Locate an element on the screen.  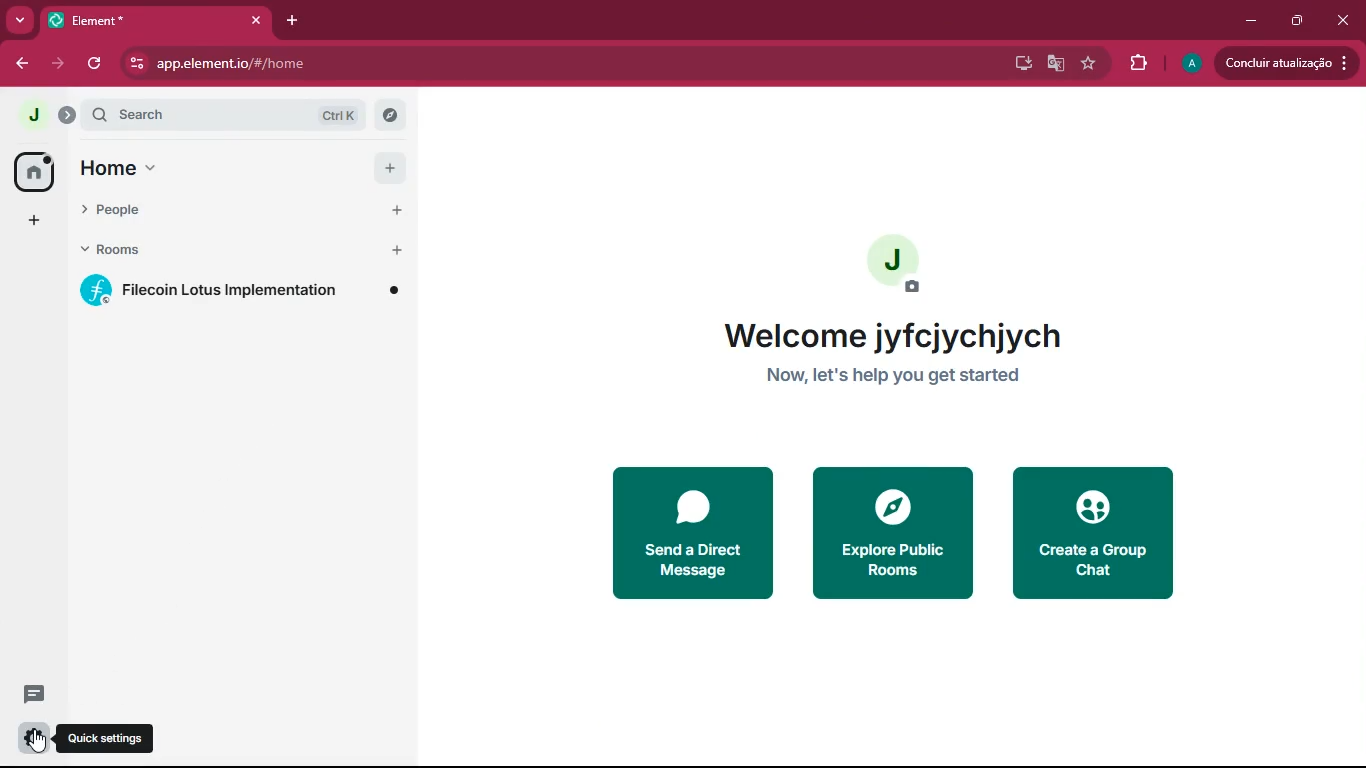
people is located at coordinates (220, 208).